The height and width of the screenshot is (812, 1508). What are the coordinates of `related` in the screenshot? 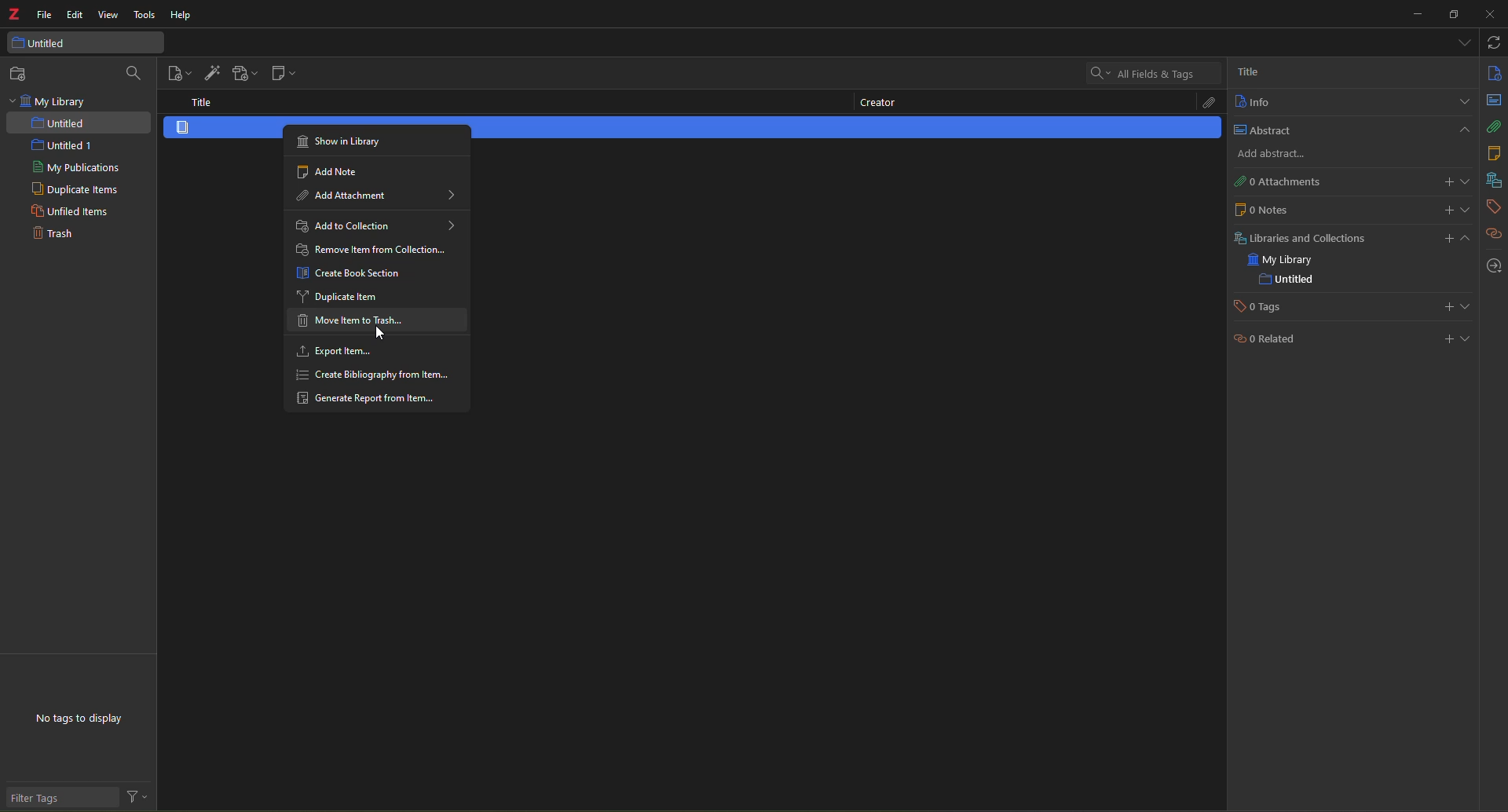 It's located at (1495, 234).